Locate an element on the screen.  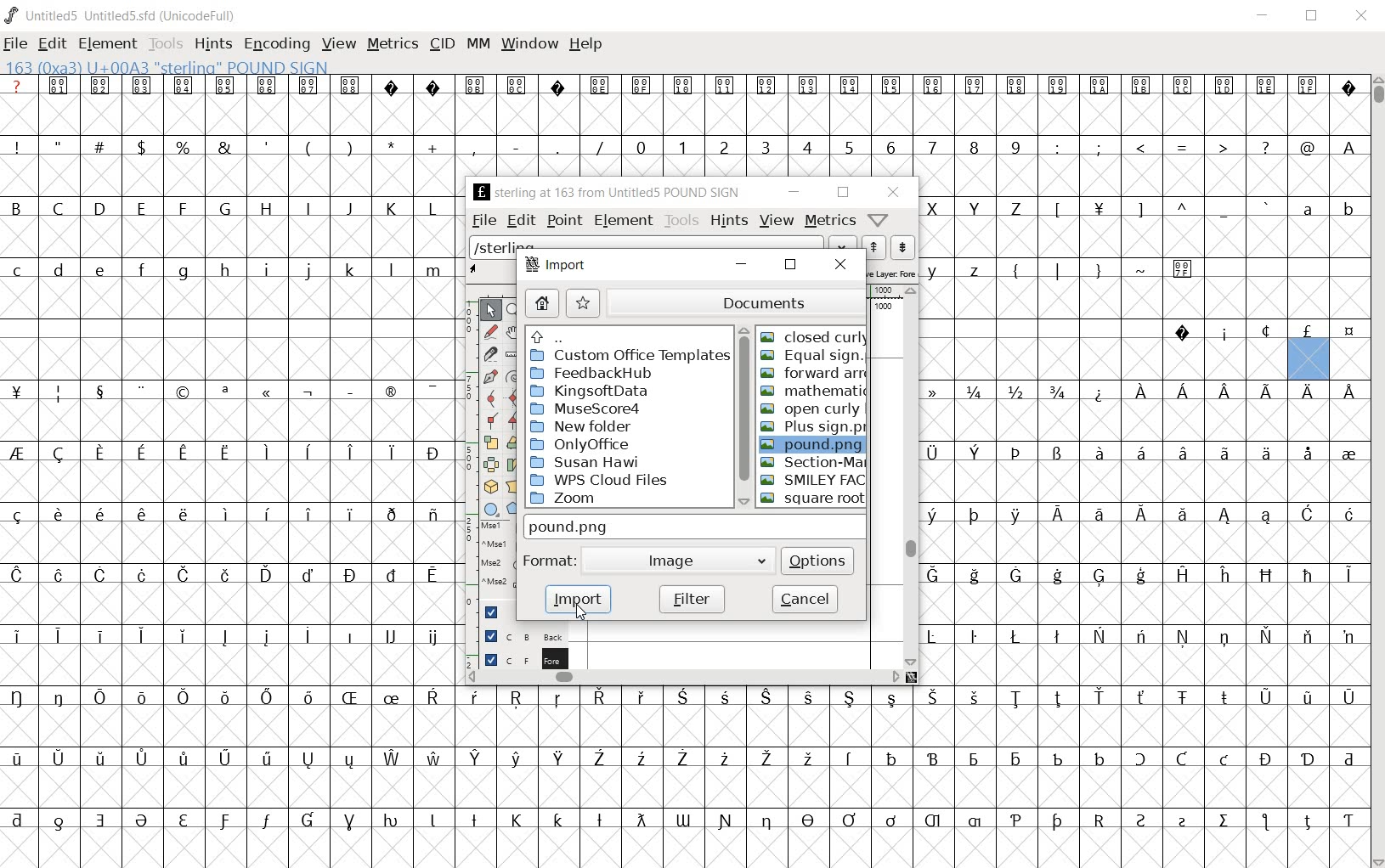
Symbol is located at coordinates (1225, 516).